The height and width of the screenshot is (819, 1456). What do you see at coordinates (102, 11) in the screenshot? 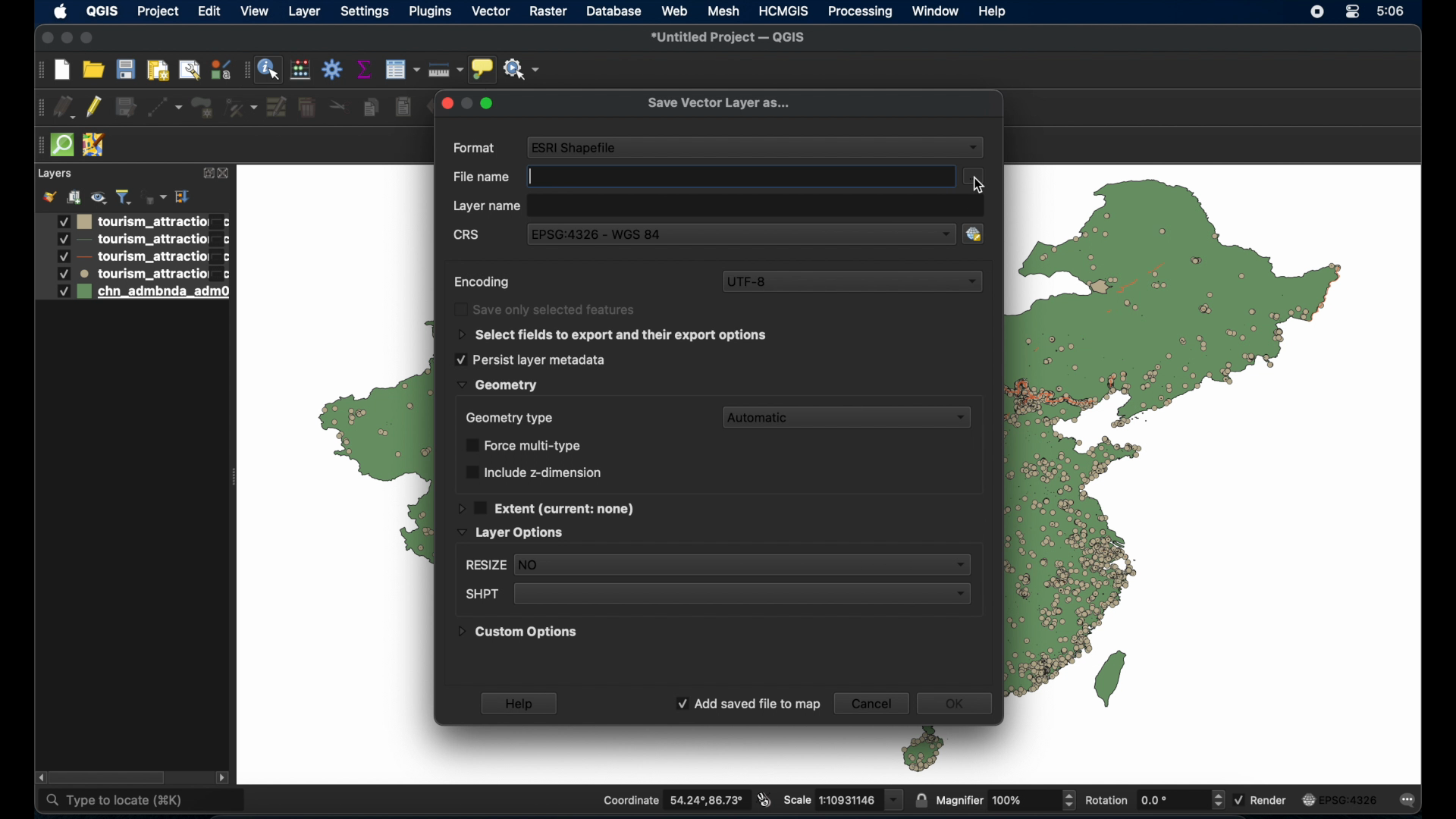
I see `QGIS` at bounding box center [102, 11].